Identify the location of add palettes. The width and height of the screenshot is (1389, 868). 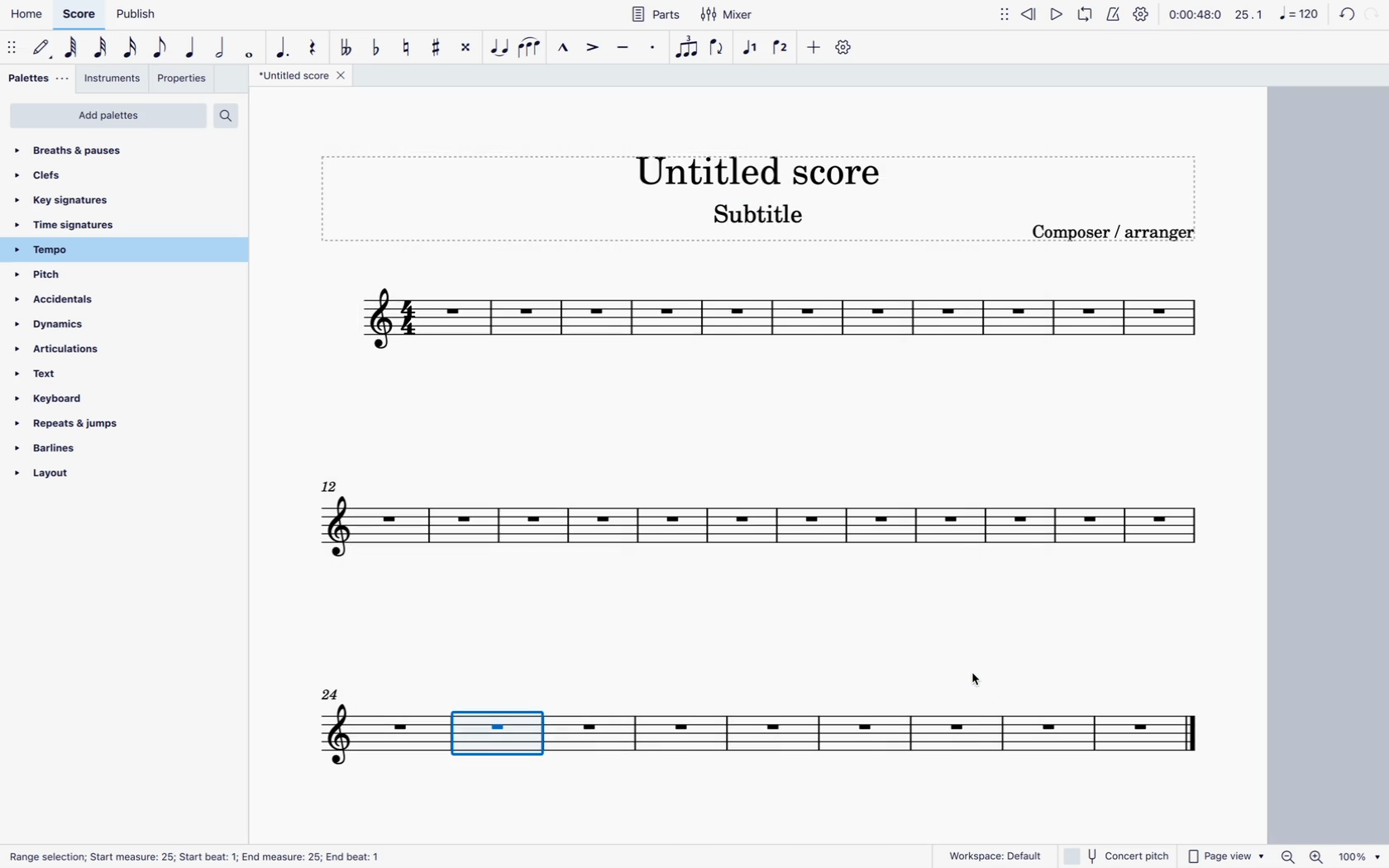
(108, 117).